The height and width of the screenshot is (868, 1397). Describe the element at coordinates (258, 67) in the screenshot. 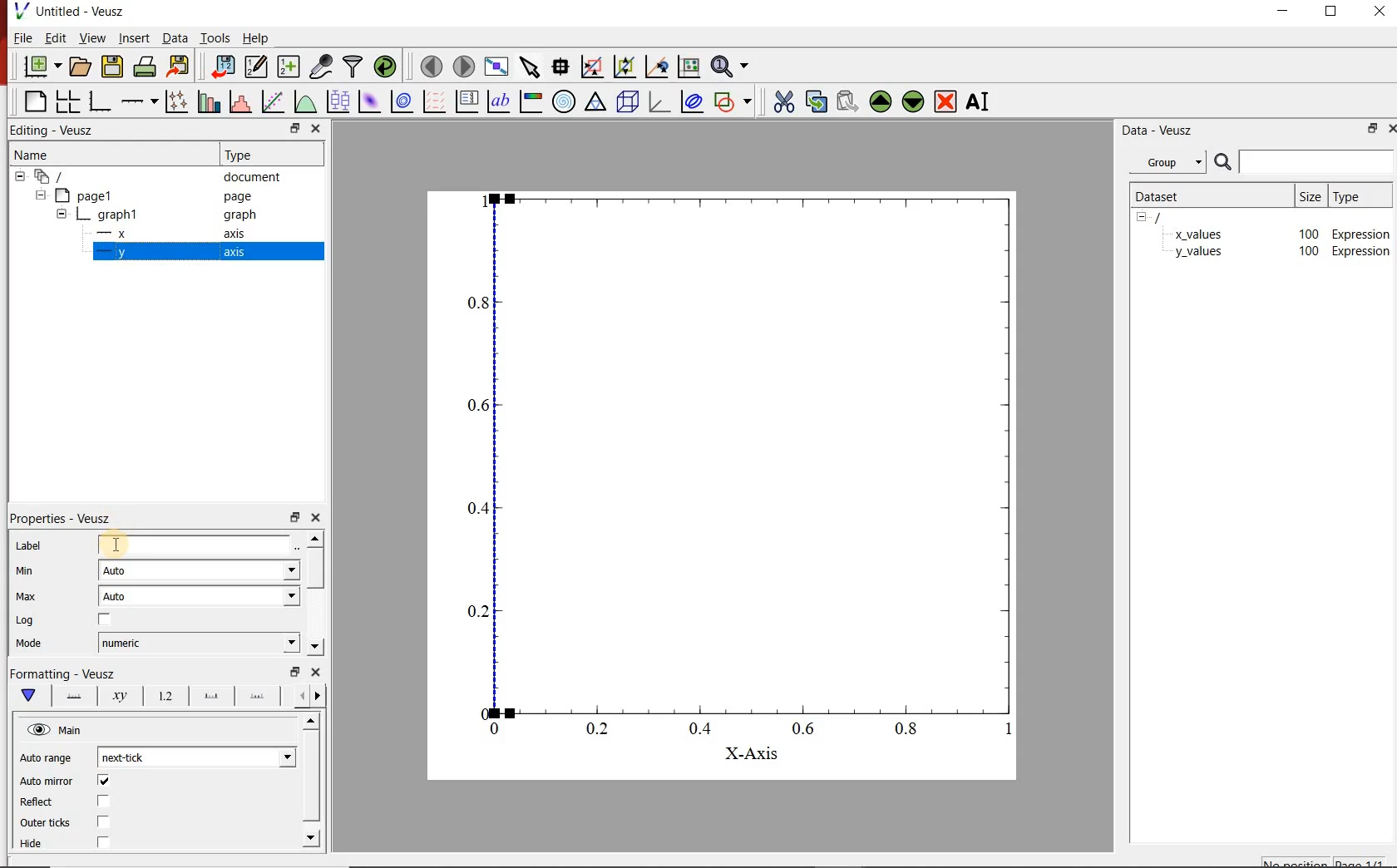

I see `edit and center new datasets` at that location.